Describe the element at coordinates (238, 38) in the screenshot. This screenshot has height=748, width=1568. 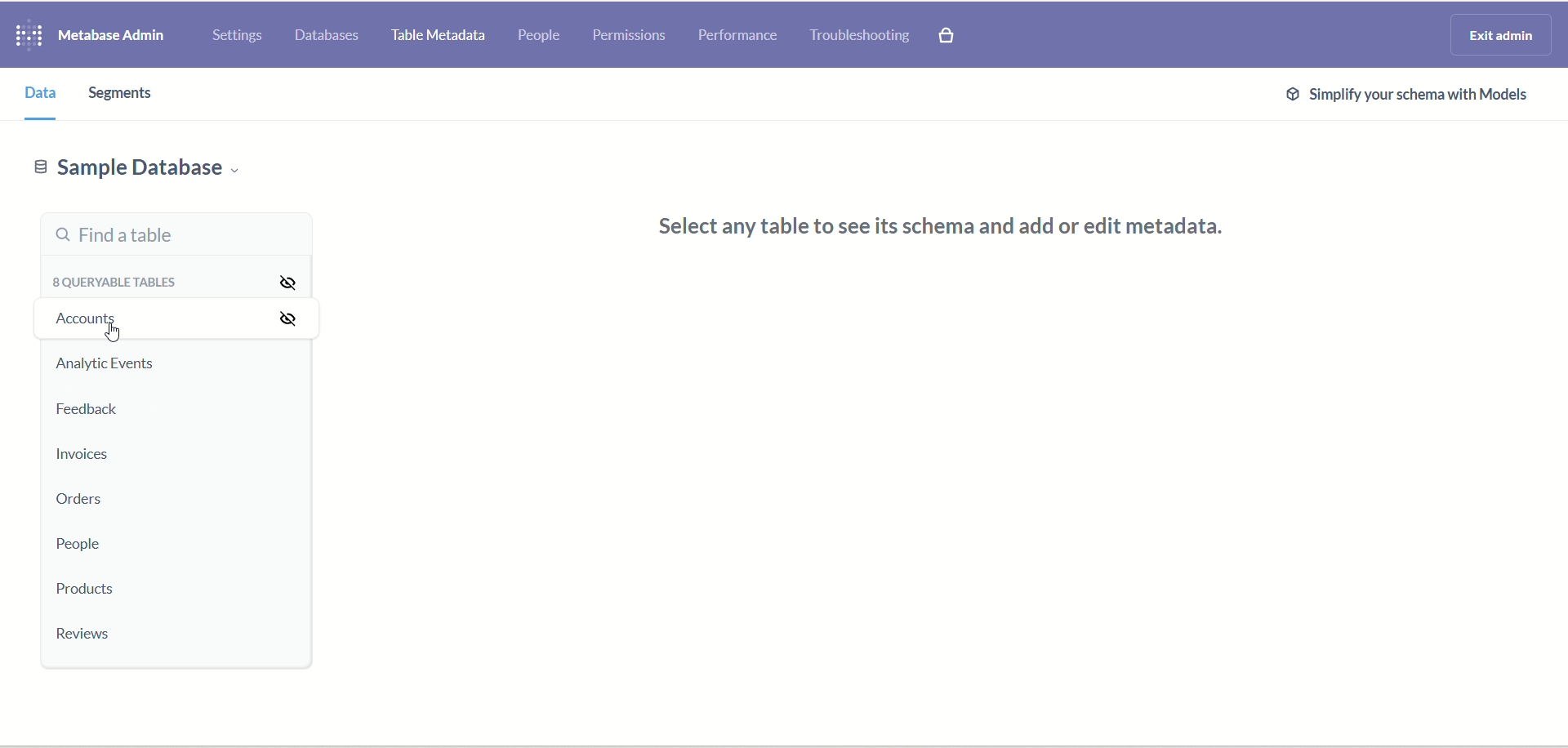
I see `settings` at that location.